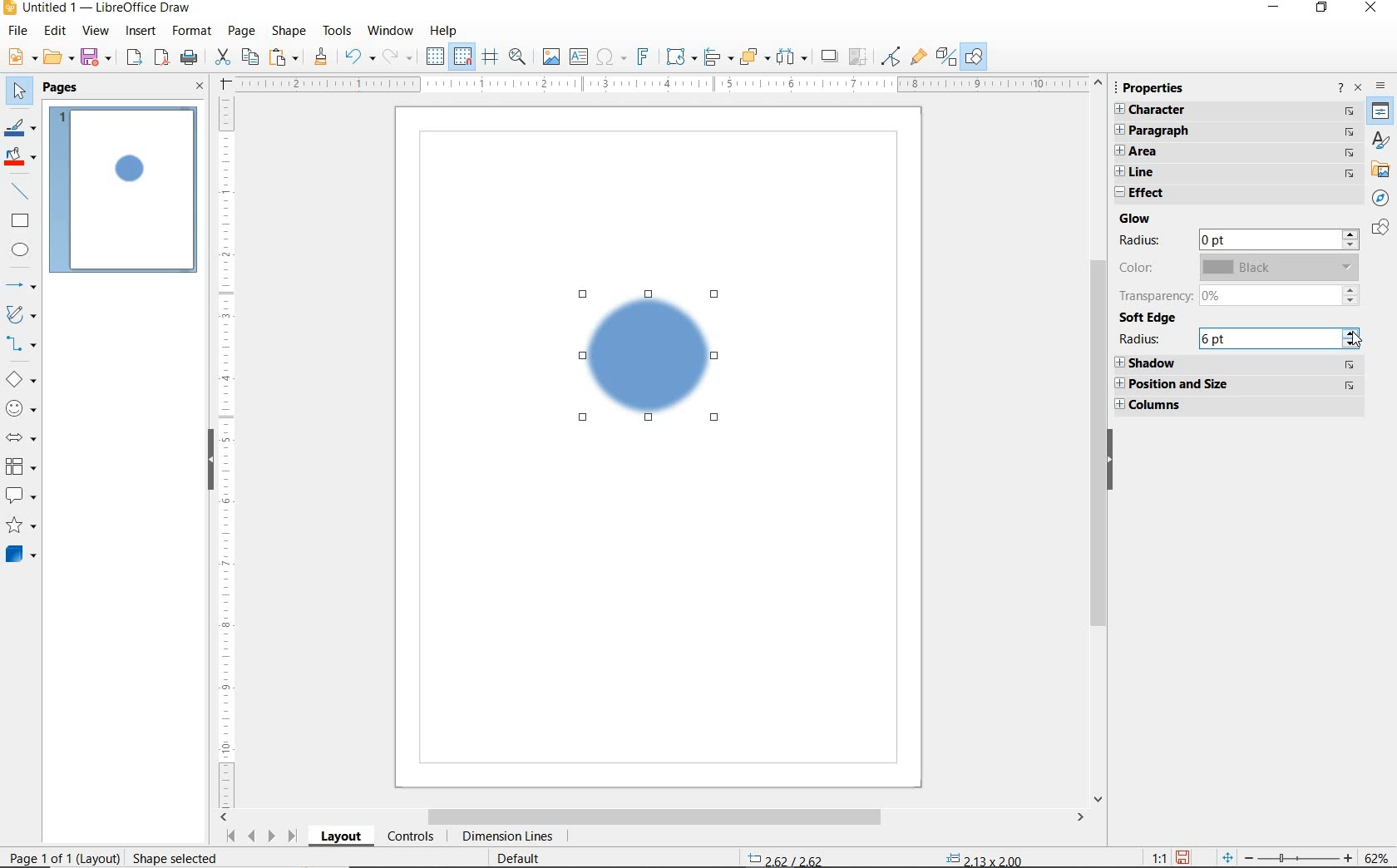 The height and width of the screenshot is (868, 1397). Describe the element at coordinates (134, 57) in the screenshot. I see `EXORT` at that location.